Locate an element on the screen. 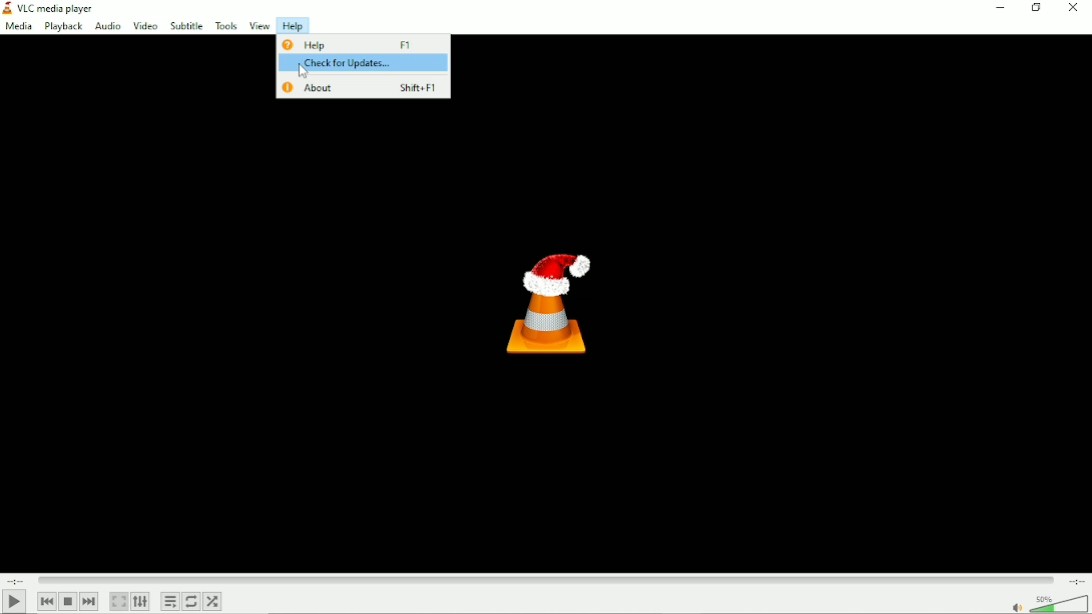 This screenshot has width=1092, height=614. Help is located at coordinates (293, 24).